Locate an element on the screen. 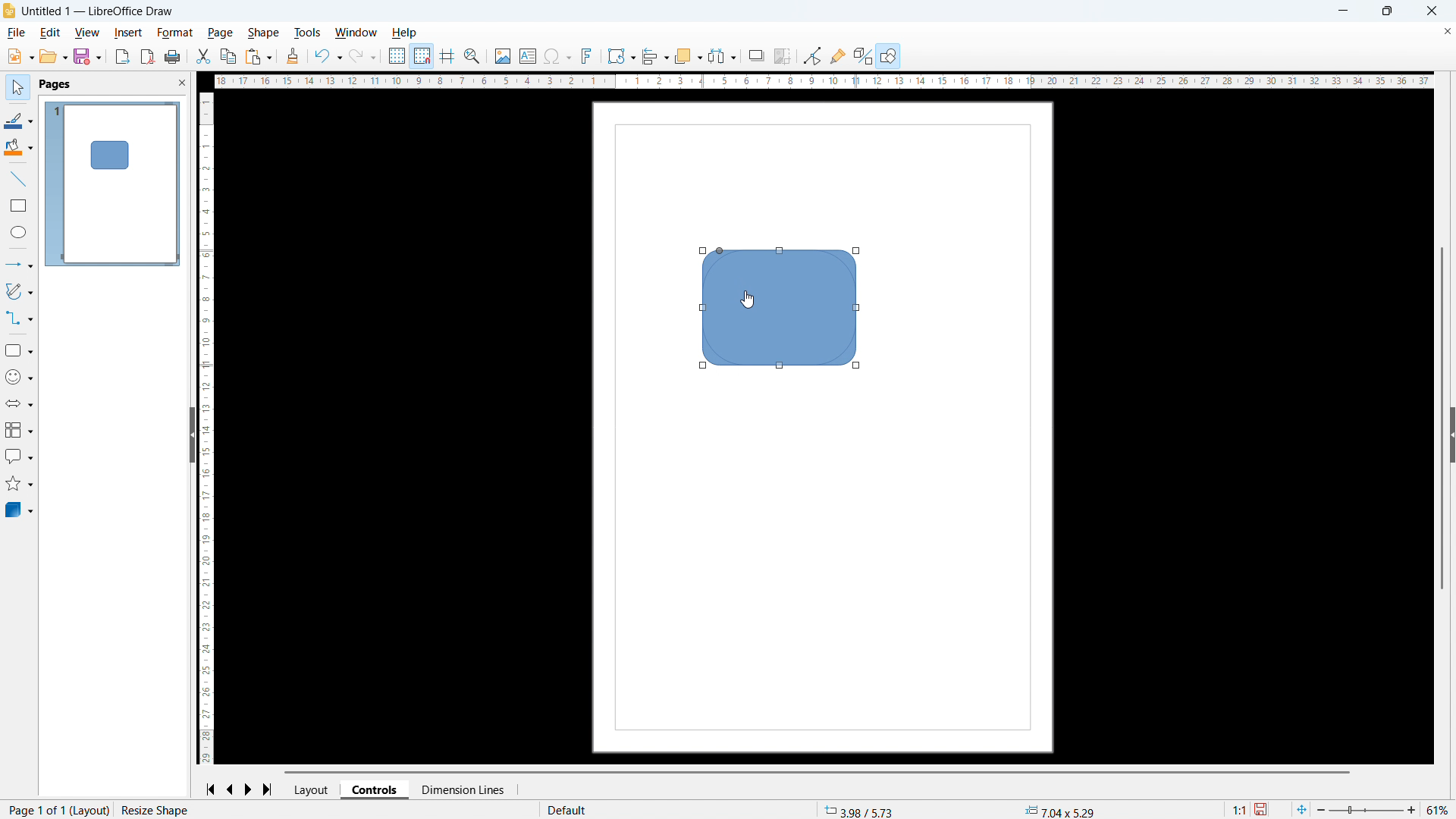 This screenshot has height=819, width=1456. Go to first page  is located at coordinates (210, 790).